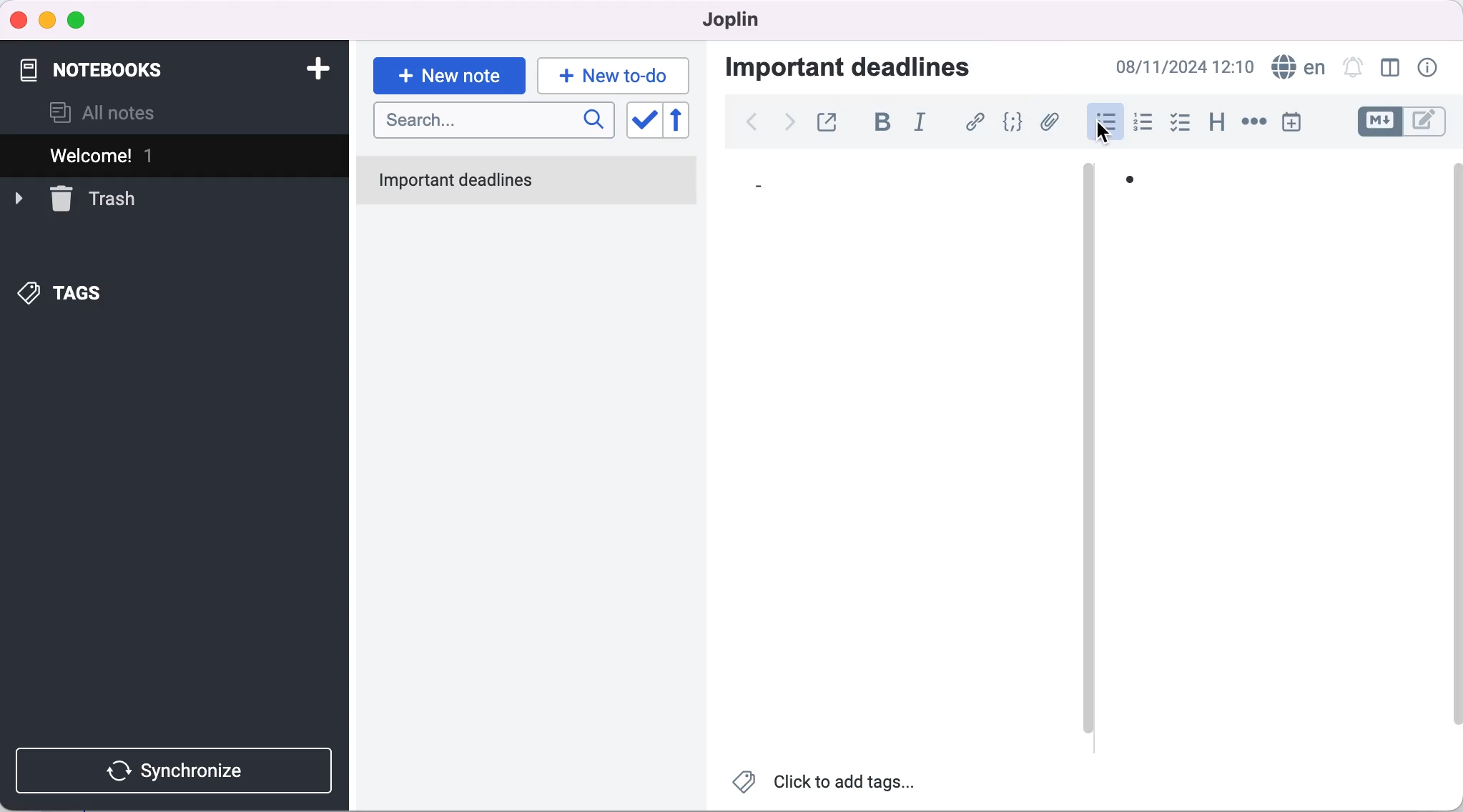 The image size is (1463, 812). Describe the element at coordinates (1432, 69) in the screenshot. I see `note properties` at that location.